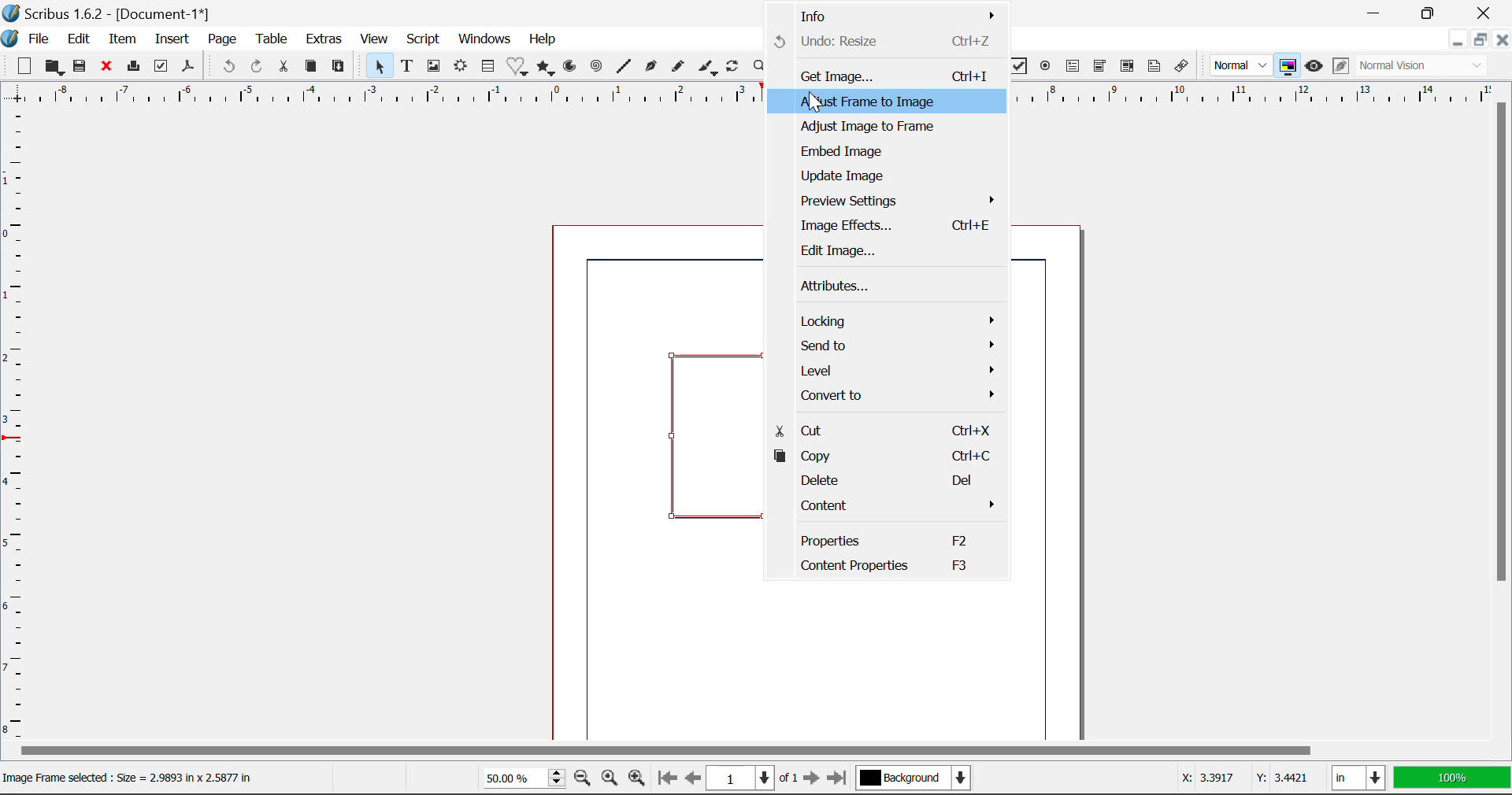 The height and width of the screenshot is (795, 1512). What do you see at coordinates (883, 566) in the screenshot?
I see `Content Properties` at bounding box center [883, 566].